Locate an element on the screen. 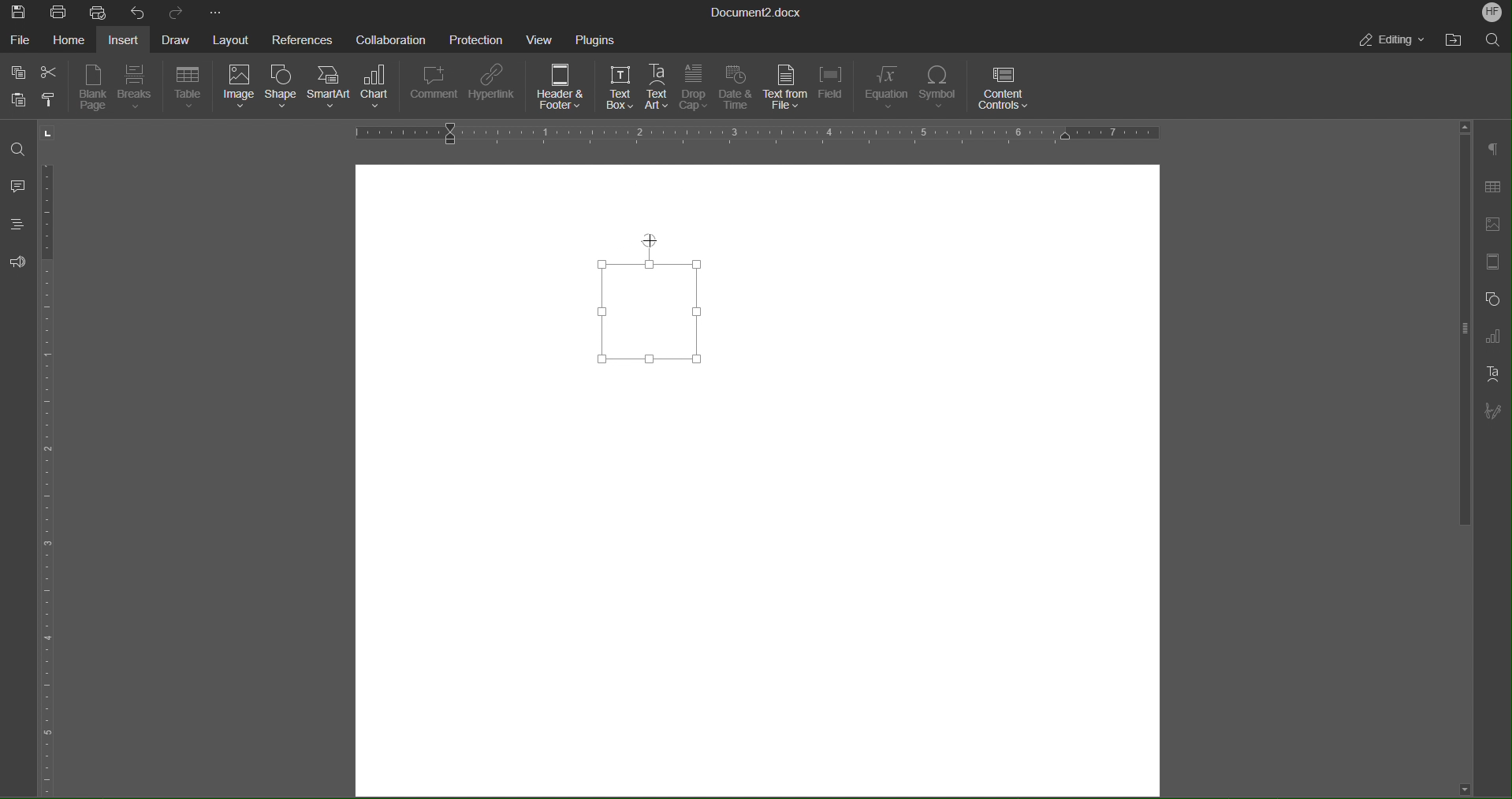 The height and width of the screenshot is (799, 1512). Headings is located at coordinates (16, 224).